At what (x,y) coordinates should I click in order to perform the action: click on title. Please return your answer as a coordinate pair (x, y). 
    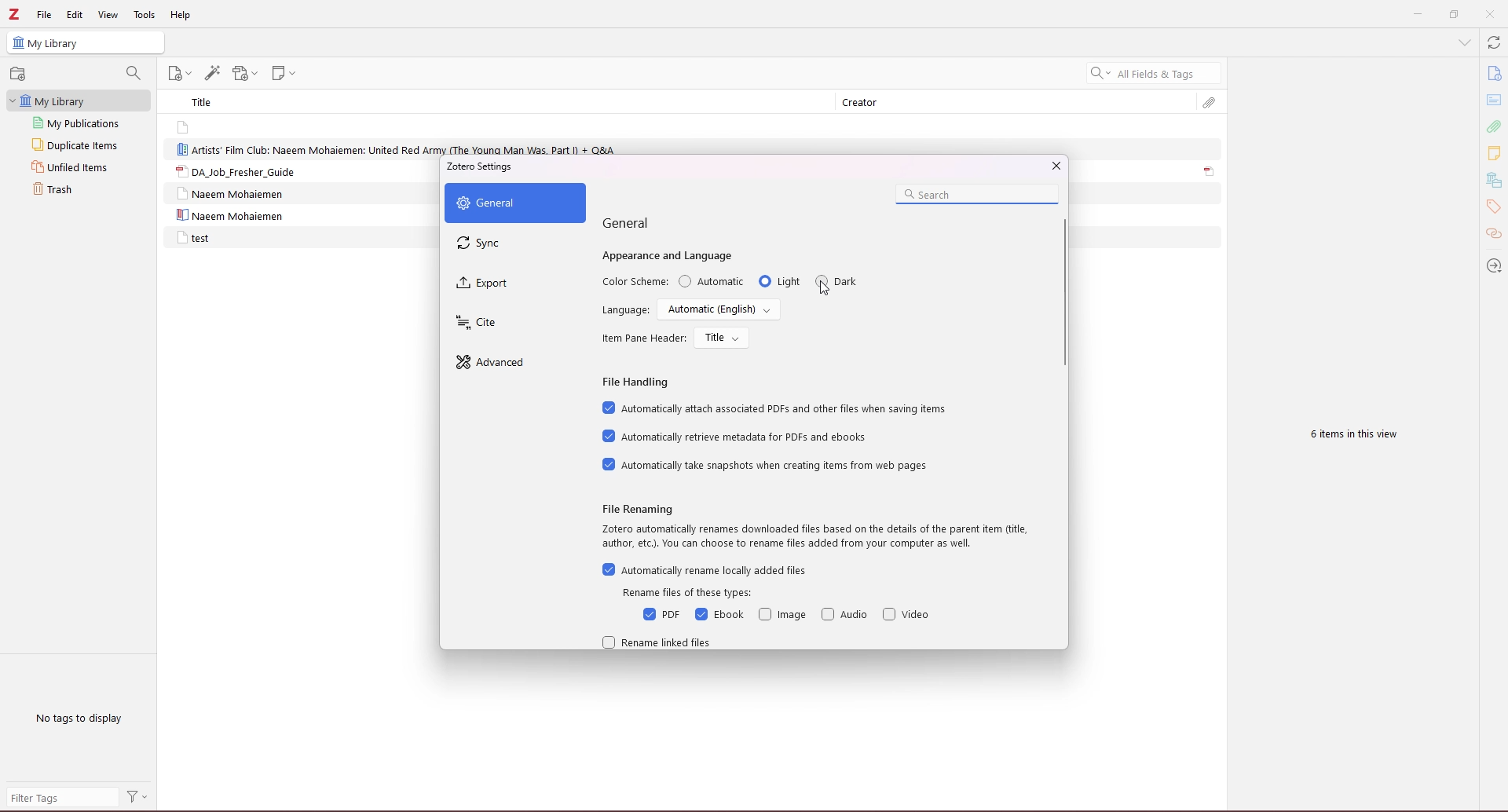
    Looking at the image, I should click on (207, 101).